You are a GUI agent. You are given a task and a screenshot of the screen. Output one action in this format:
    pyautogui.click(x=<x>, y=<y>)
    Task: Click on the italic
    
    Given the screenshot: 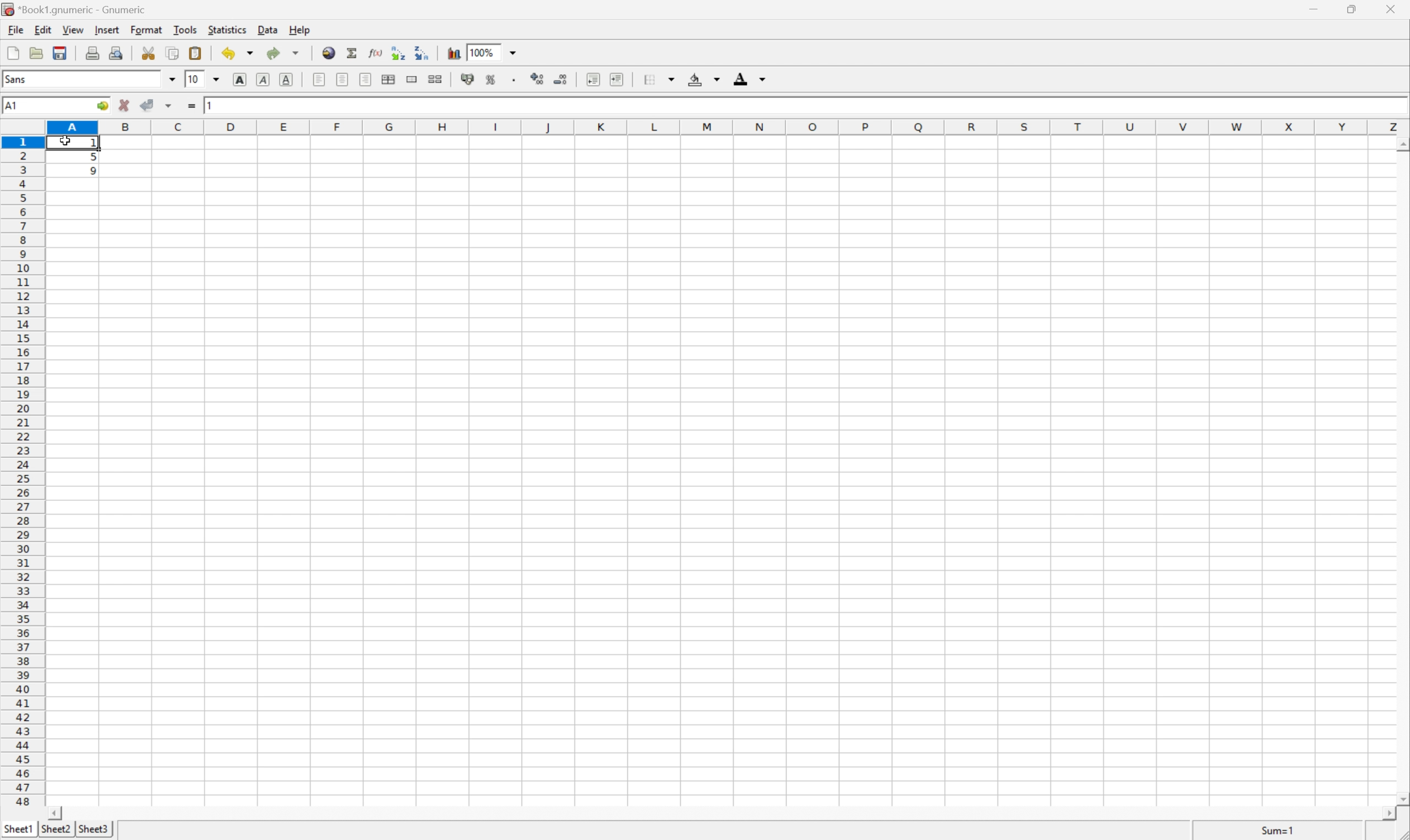 What is the action you would take?
    pyautogui.click(x=264, y=78)
    